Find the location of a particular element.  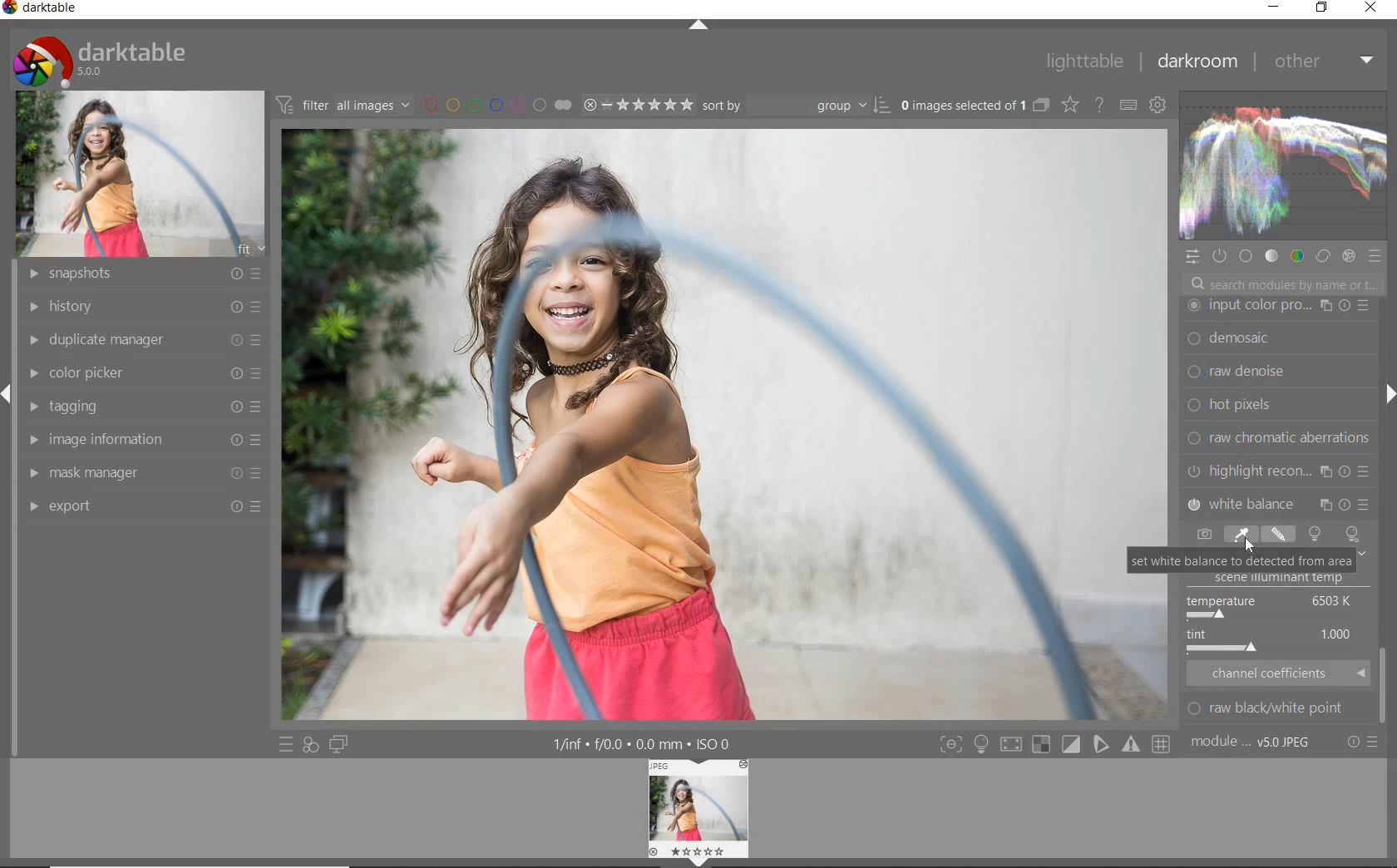

display a second darkroom image window is located at coordinates (342, 744).